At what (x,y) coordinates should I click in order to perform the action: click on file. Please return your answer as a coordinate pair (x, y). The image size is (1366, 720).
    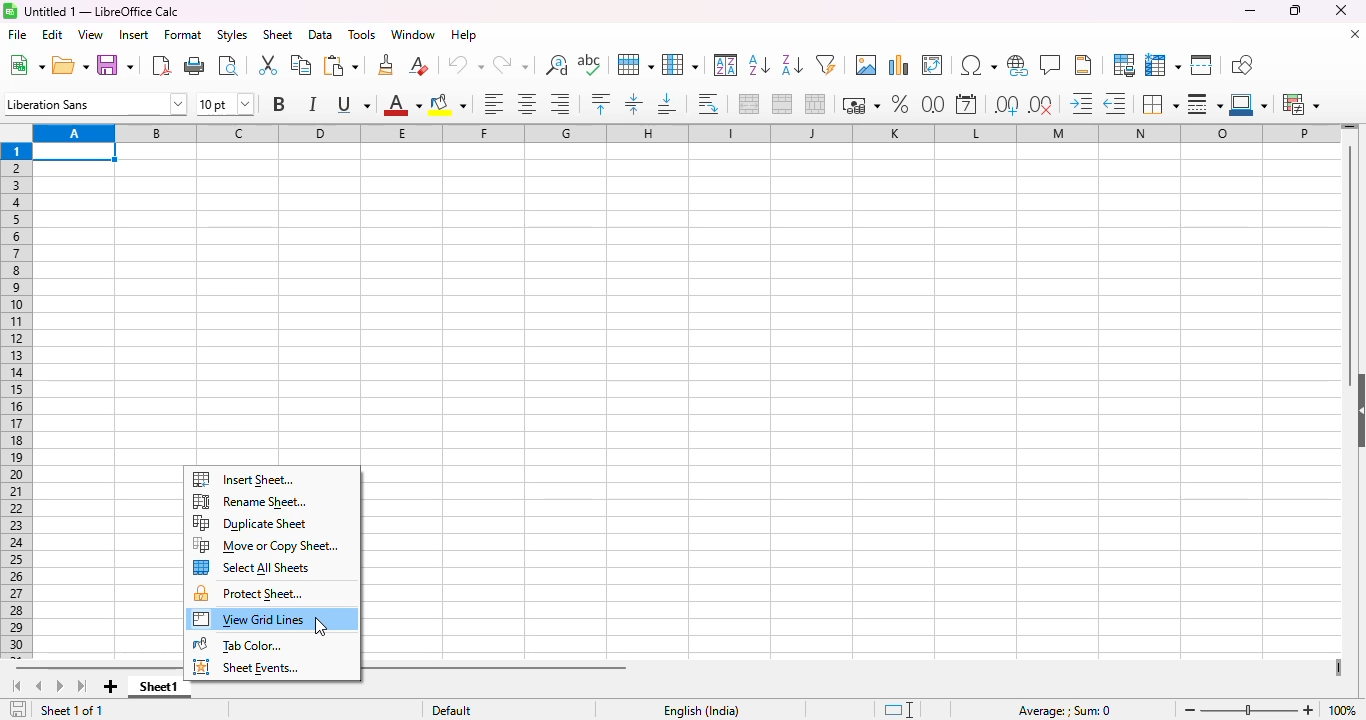
    Looking at the image, I should click on (16, 34).